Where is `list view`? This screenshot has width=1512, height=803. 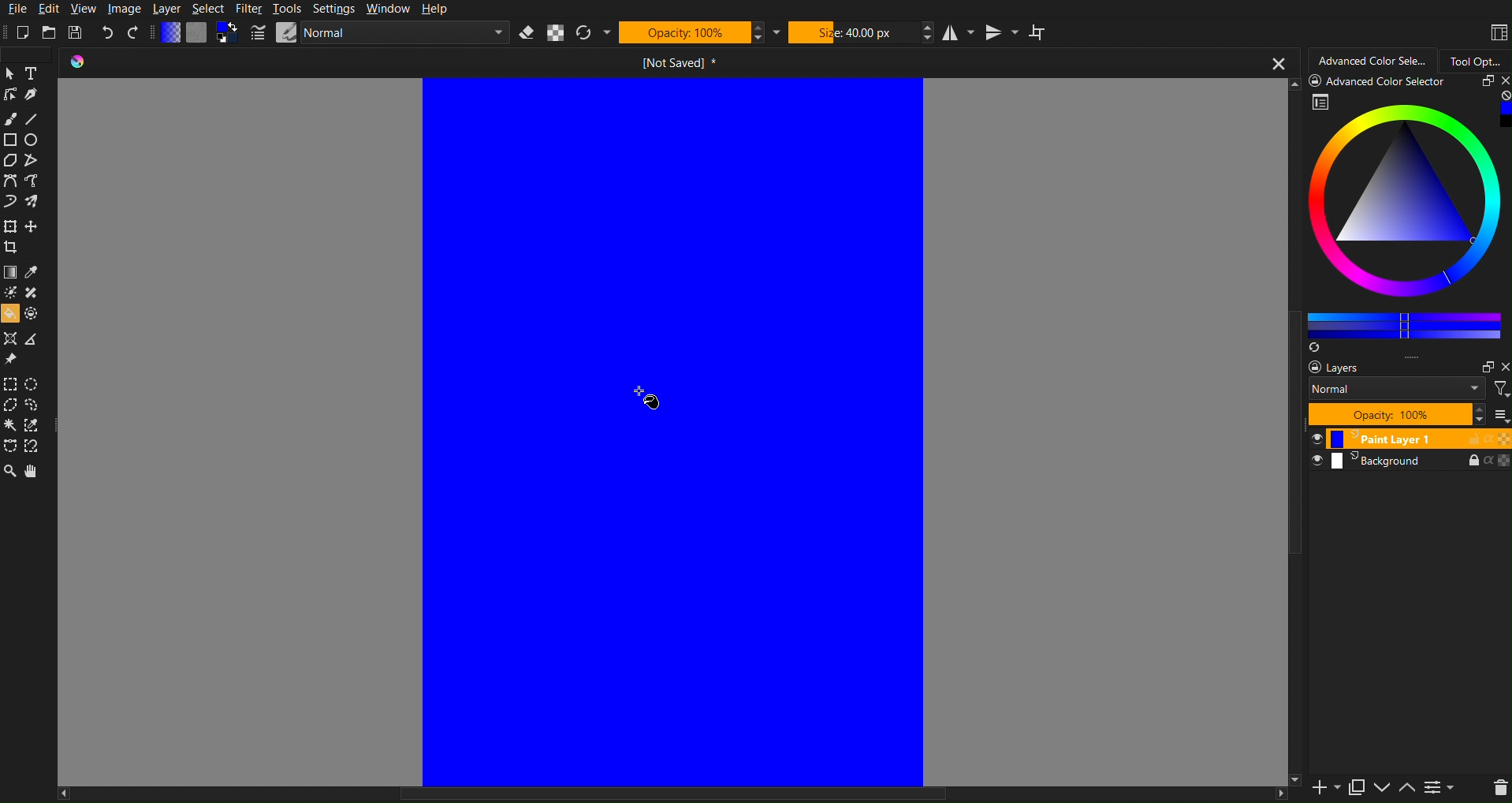 list view is located at coordinates (1500, 414).